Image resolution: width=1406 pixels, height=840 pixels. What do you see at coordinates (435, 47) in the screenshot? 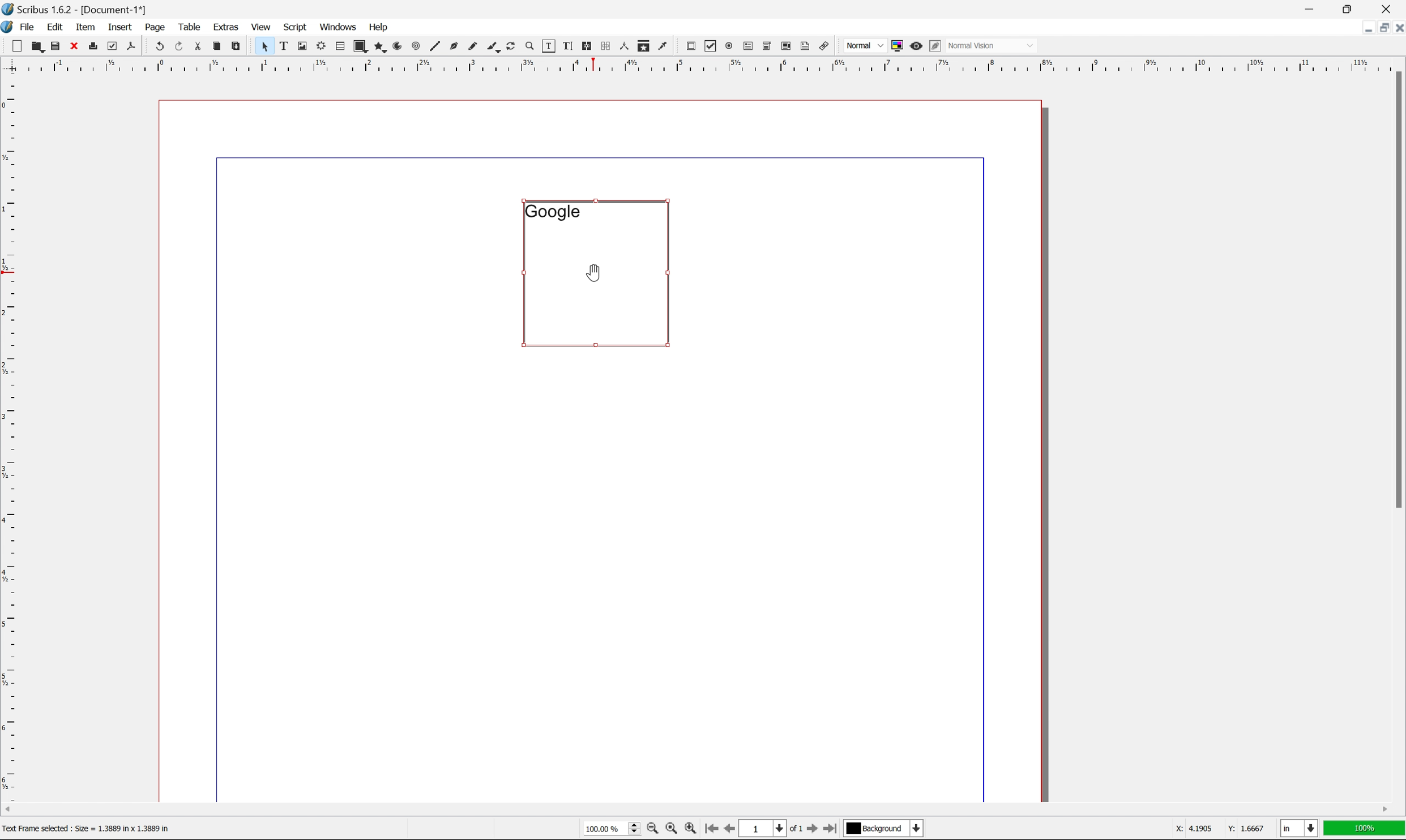
I see `line` at bounding box center [435, 47].